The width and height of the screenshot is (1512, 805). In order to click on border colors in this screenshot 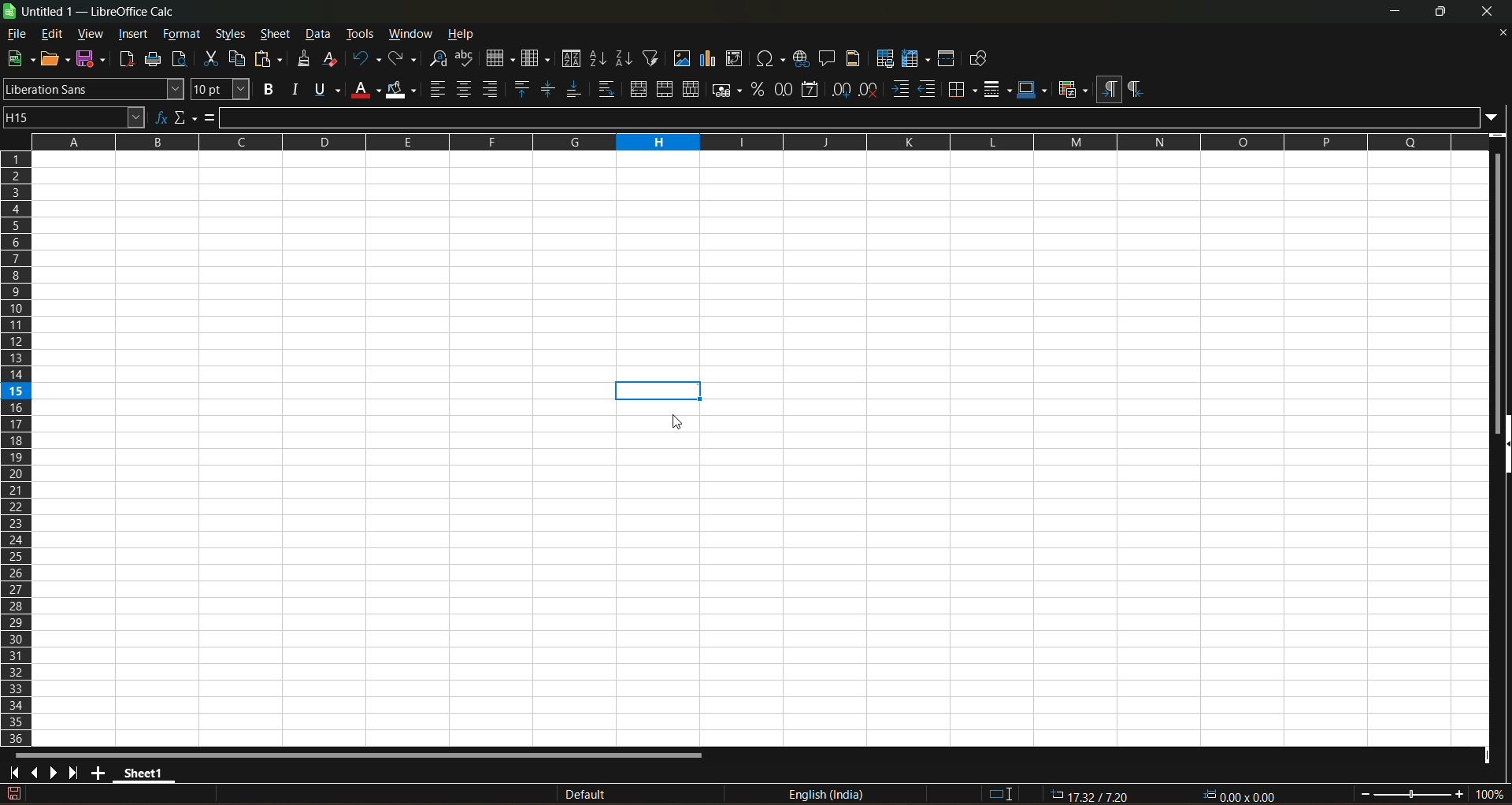, I will do `click(1031, 89)`.